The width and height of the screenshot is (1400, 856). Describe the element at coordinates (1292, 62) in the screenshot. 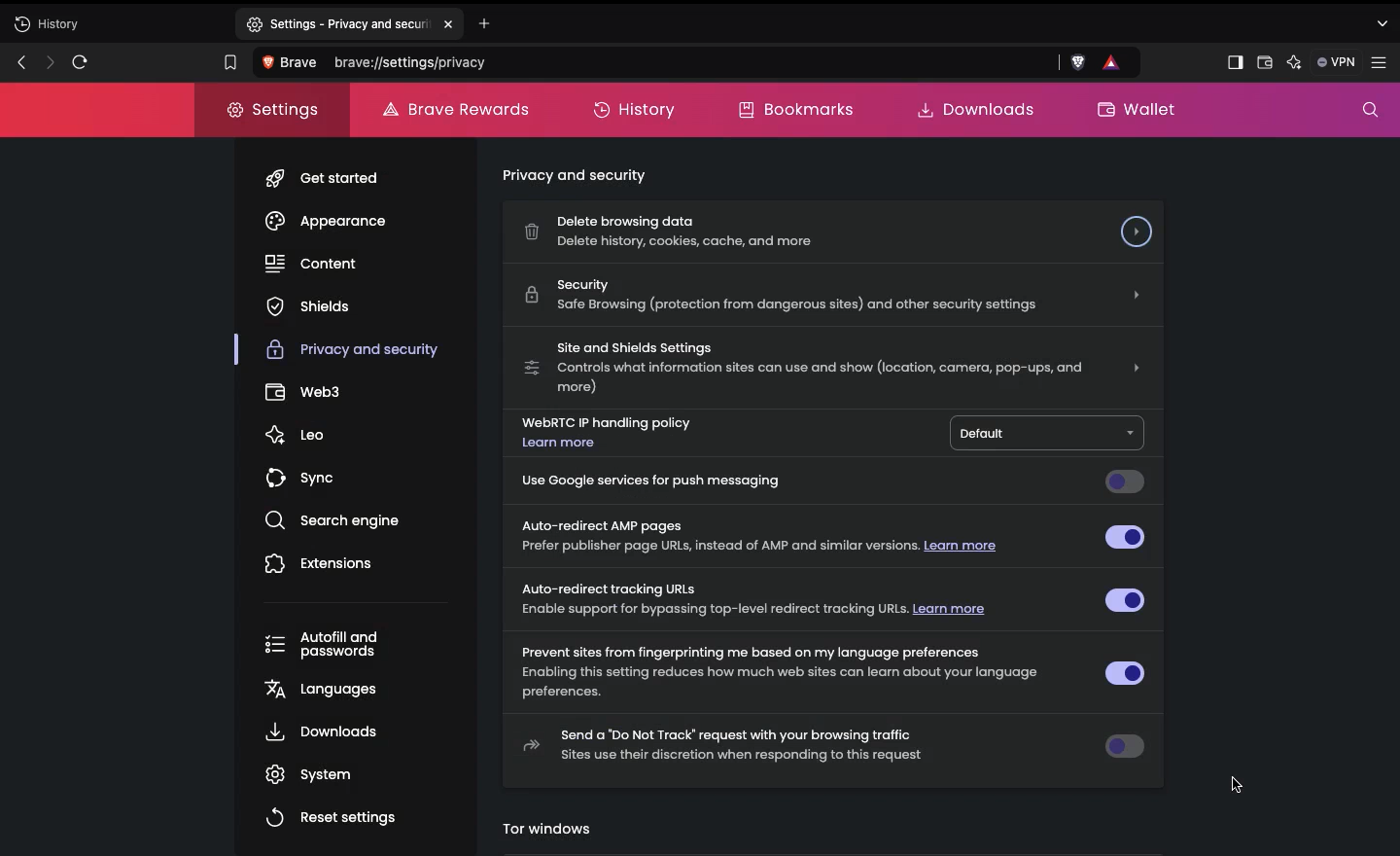

I see `AI` at that location.